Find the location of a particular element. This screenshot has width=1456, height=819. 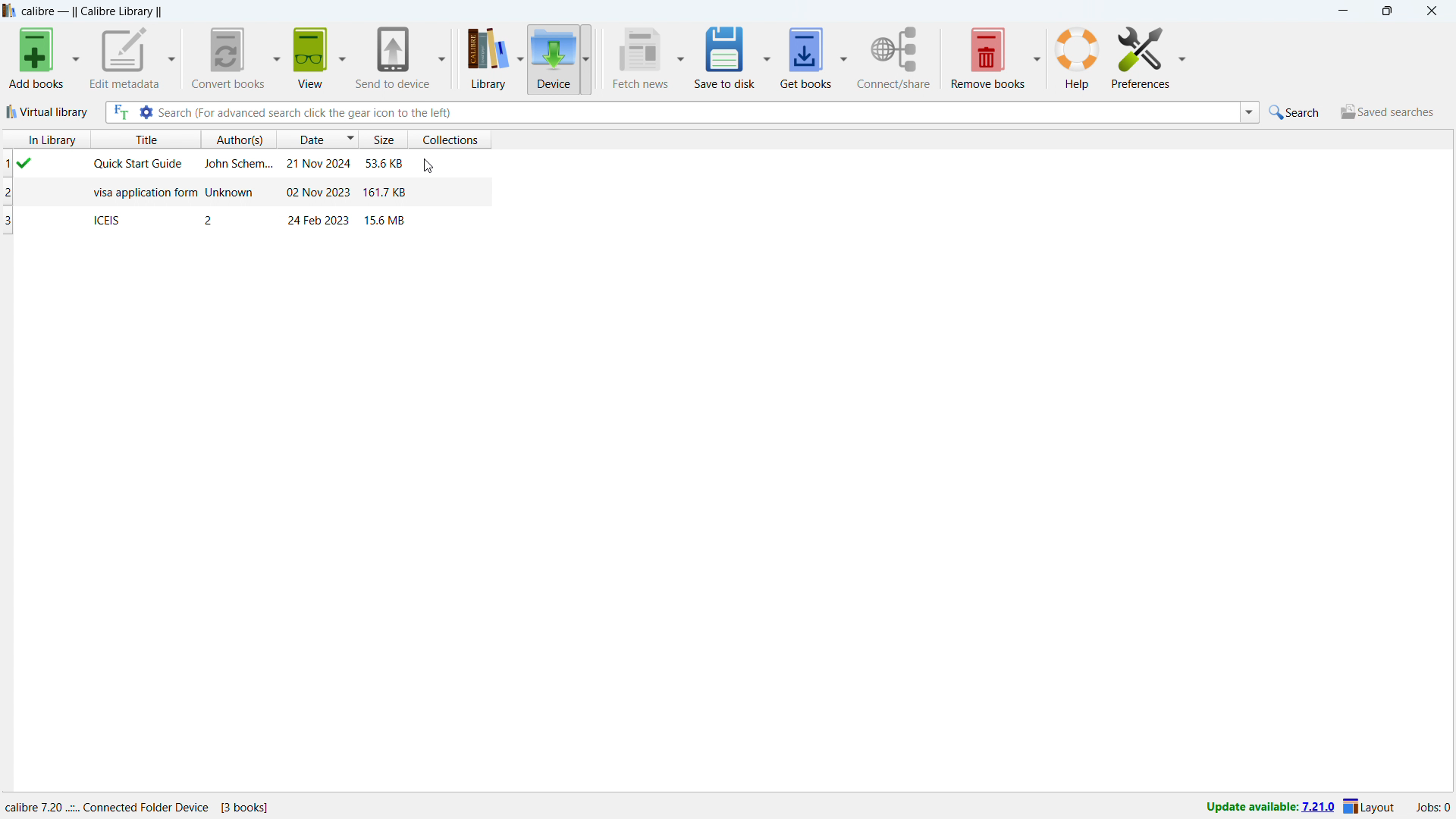

preferences options is located at coordinates (1181, 55).